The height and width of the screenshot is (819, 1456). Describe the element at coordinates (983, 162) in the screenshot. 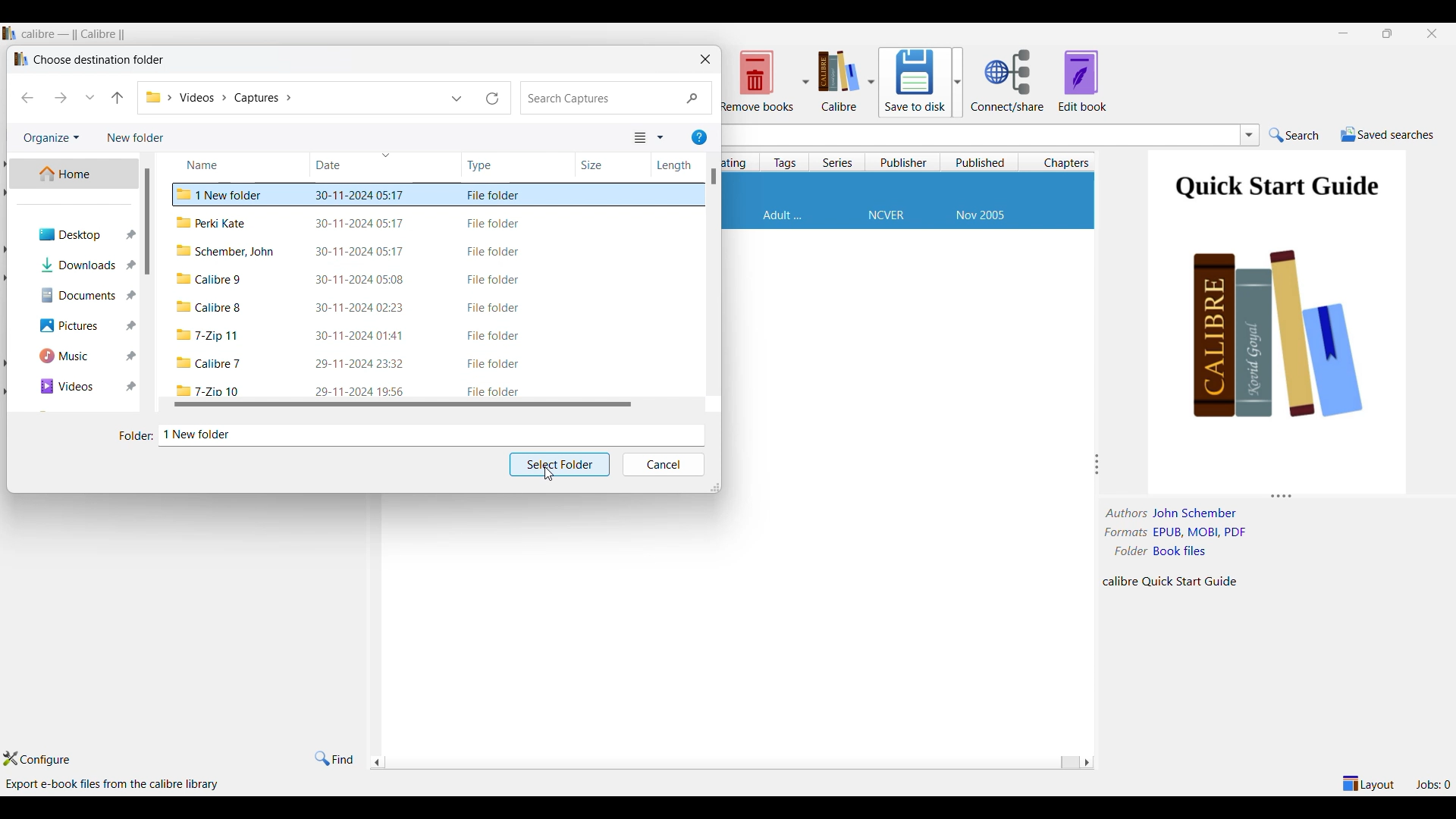

I see `Published column` at that location.